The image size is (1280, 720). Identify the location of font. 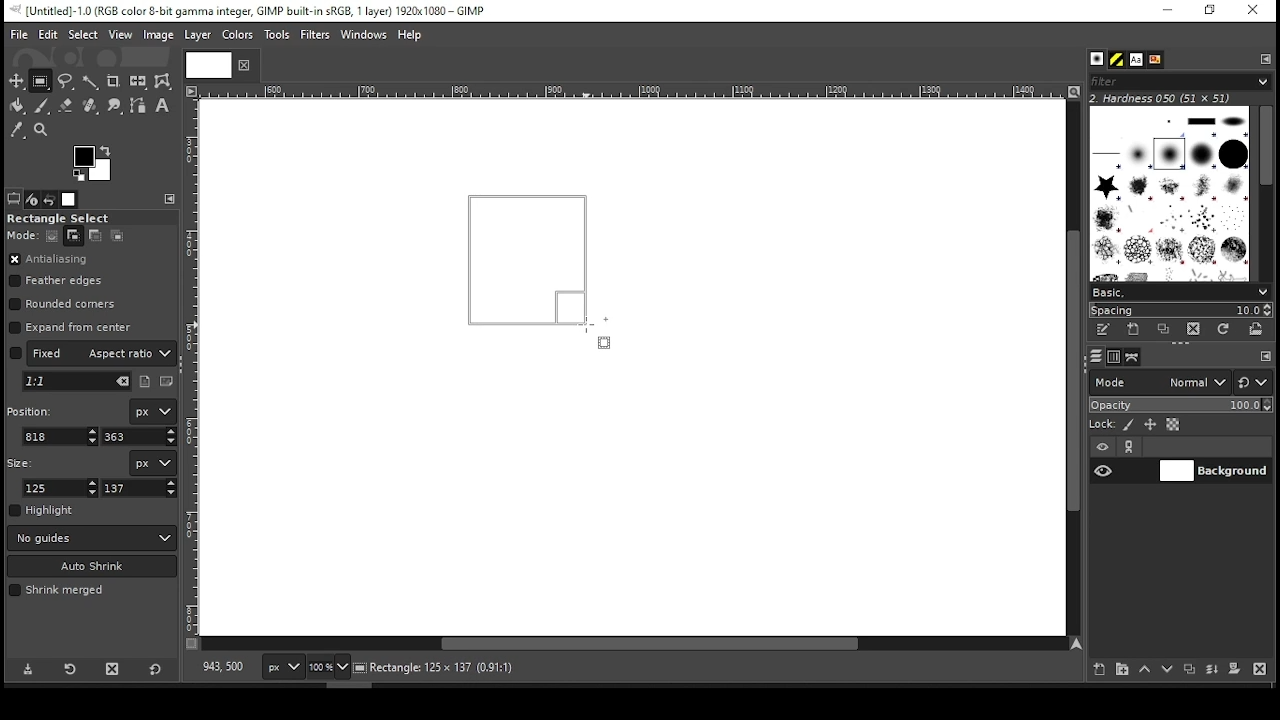
(1135, 60).